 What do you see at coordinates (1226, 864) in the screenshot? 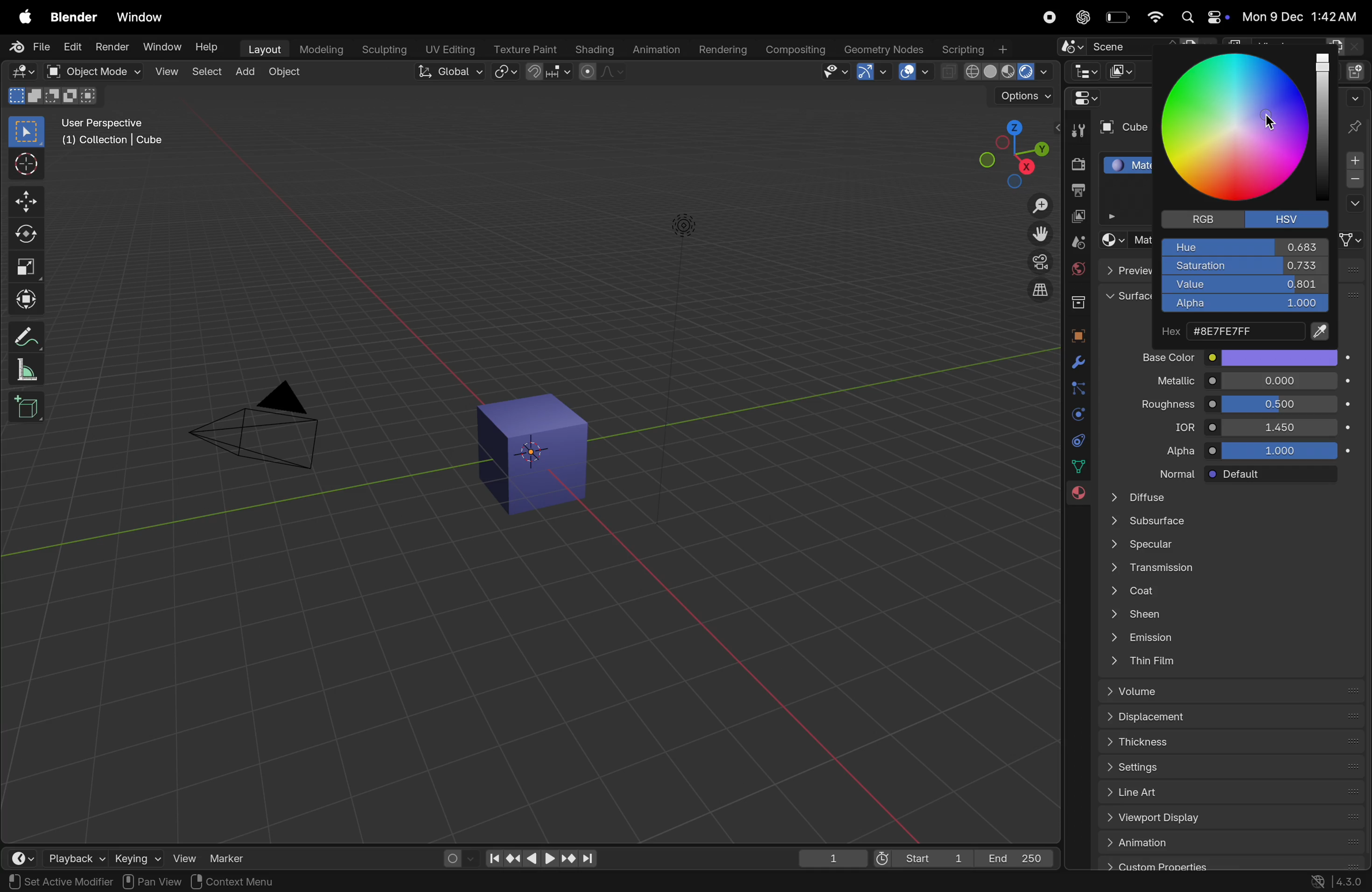
I see `custom properties` at bounding box center [1226, 864].